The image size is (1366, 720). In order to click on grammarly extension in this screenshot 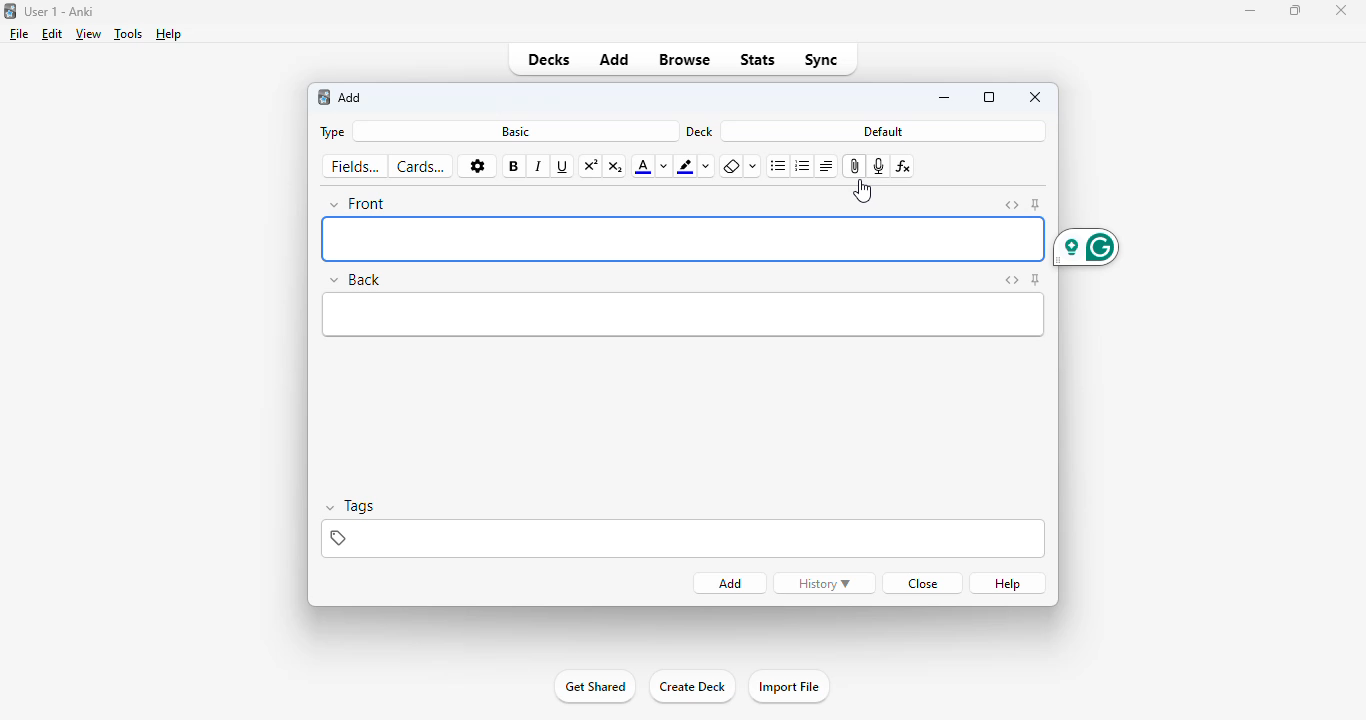, I will do `click(1086, 247)`.